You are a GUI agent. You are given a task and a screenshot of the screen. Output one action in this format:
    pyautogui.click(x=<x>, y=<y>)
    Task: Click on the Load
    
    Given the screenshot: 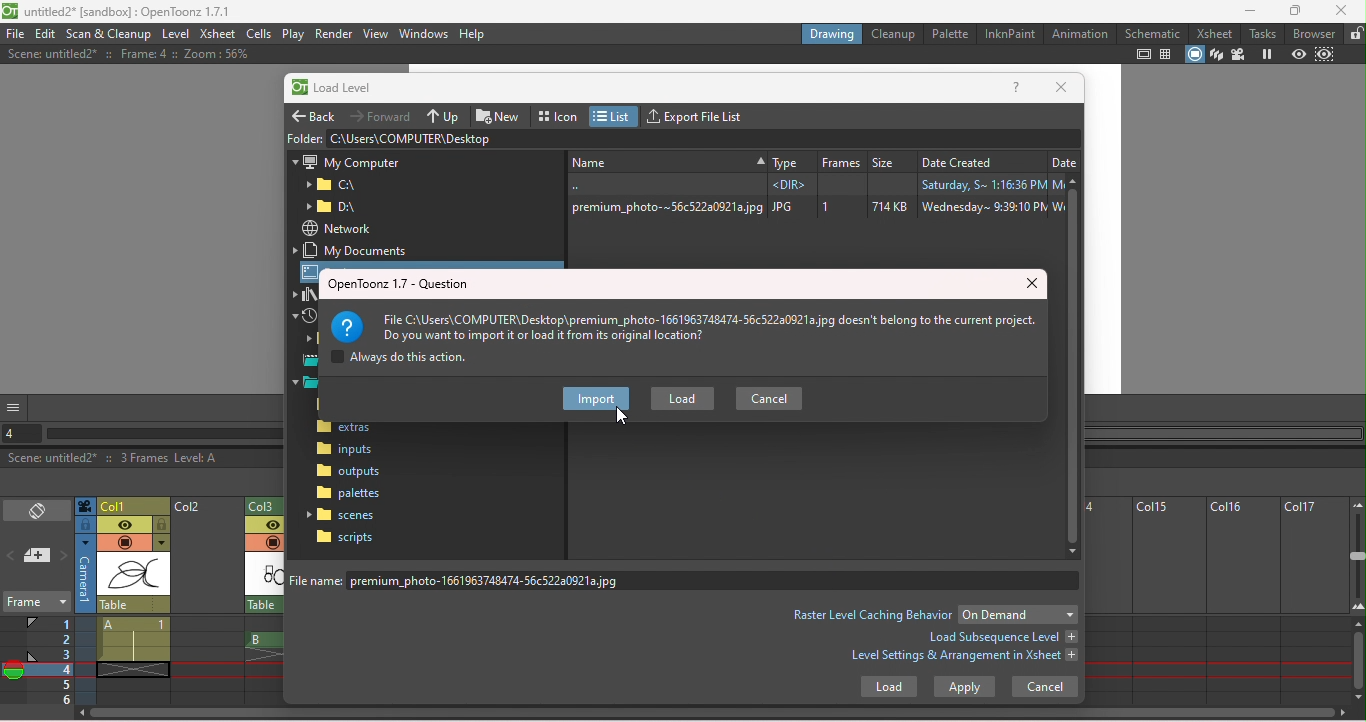 What is the action you would take?
    pyautogui.click(x=888, y=689)
    